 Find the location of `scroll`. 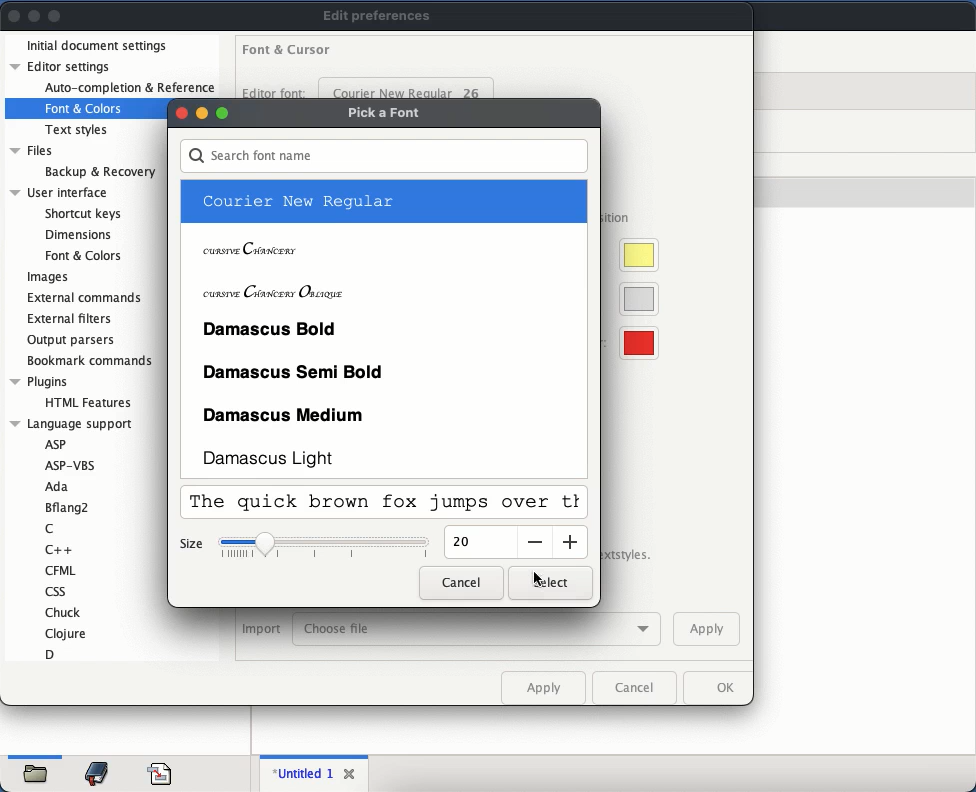

scroll is located at coordinates (586, 326).